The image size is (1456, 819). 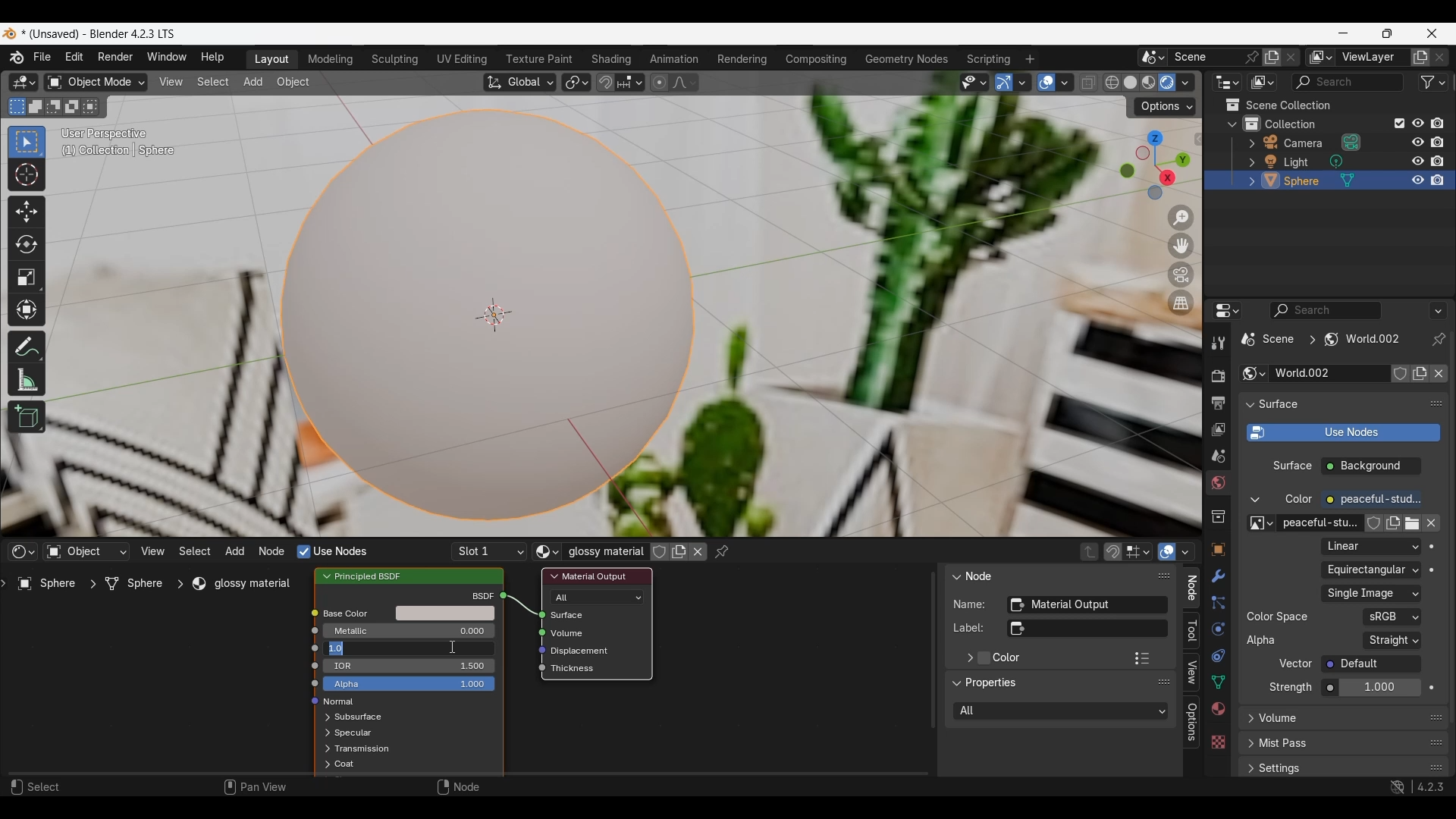 What do you see at coordinates (605, 82) in the screenshot?
I see `Snap during transform` at bounding box center [605, 82].